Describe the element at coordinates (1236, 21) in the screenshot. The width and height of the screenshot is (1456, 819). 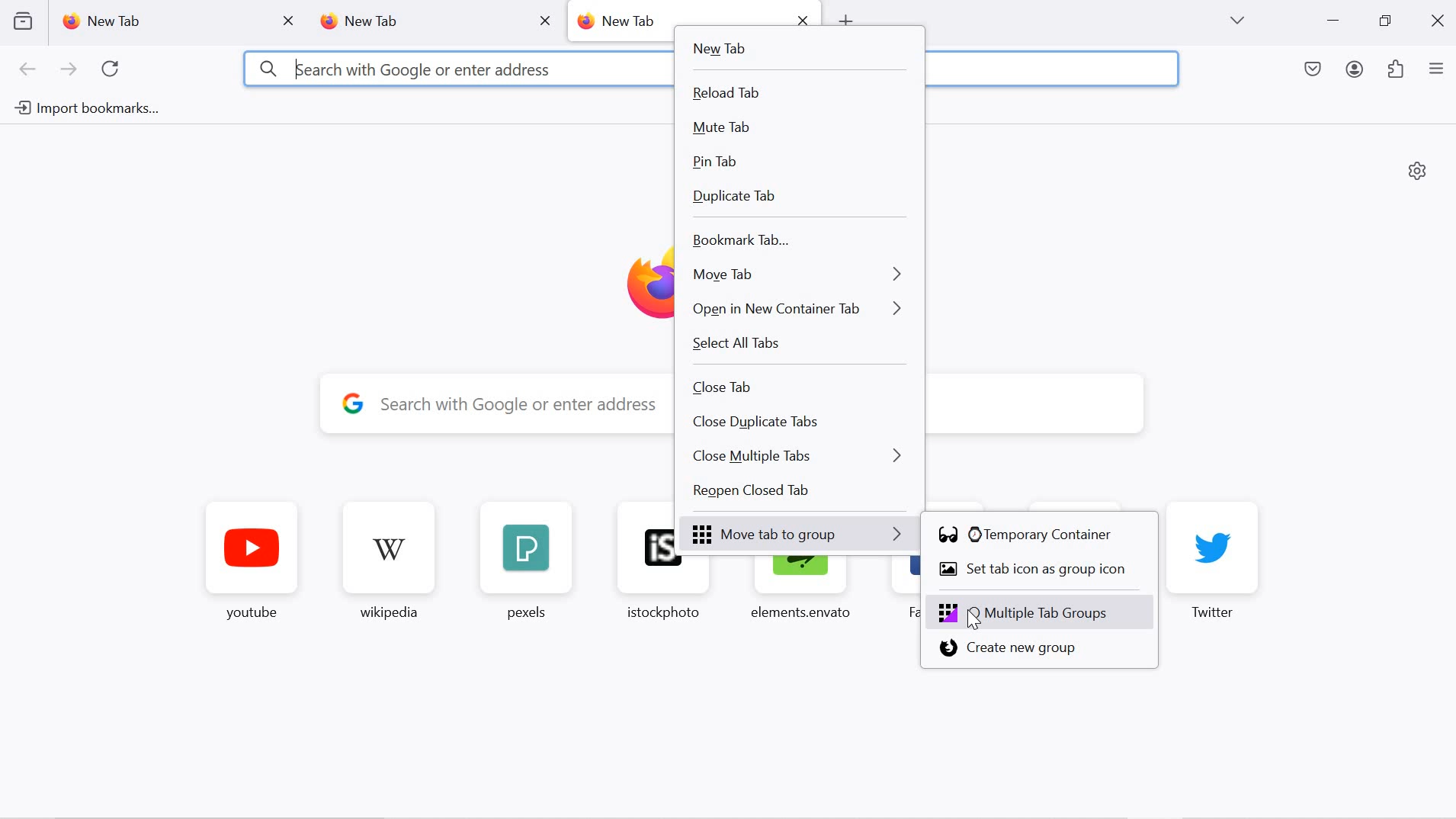
I see `list all tabs` at that location.